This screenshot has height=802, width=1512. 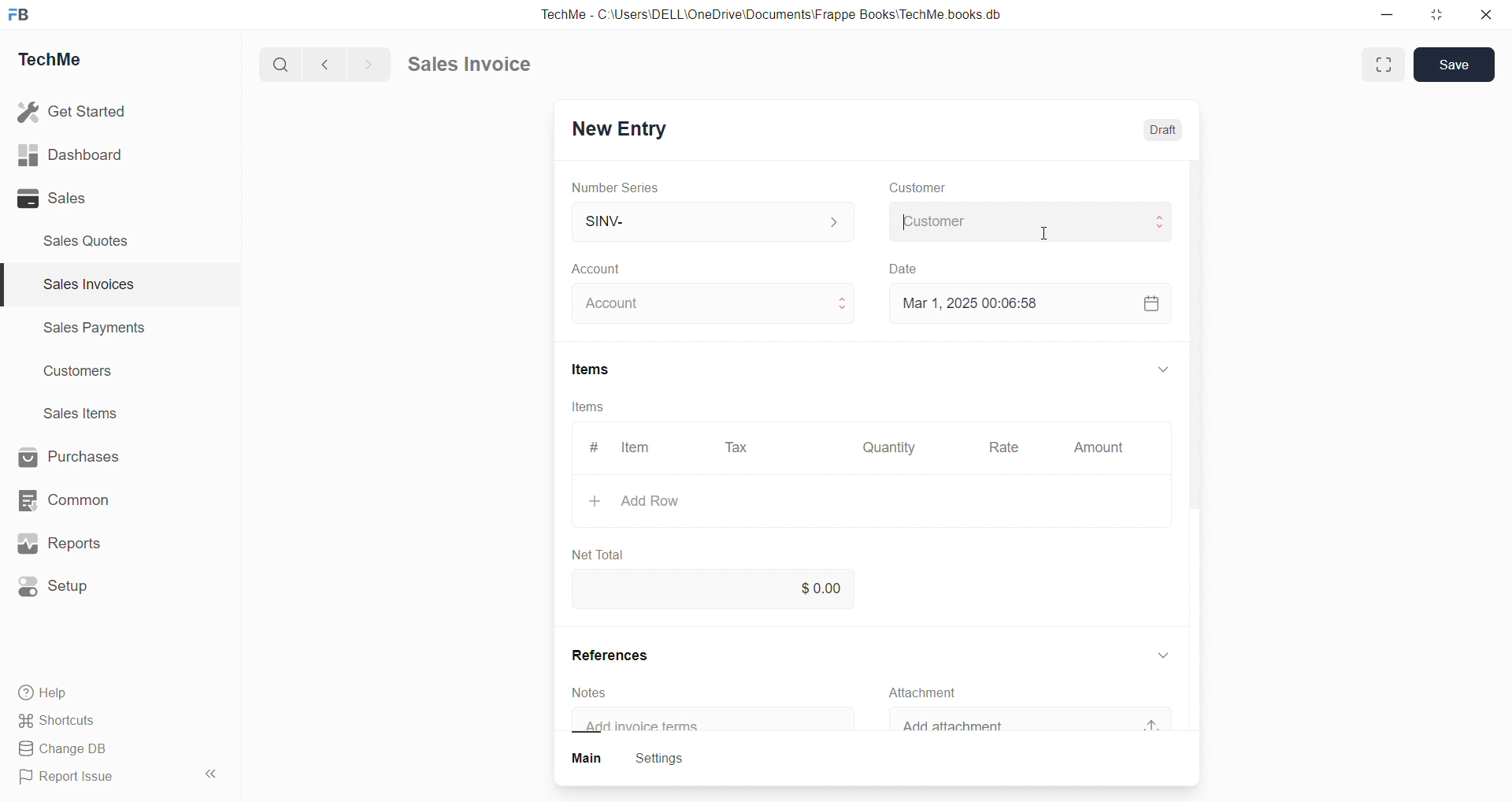 What do you see at coordinates (92, 240) in the screenshot?
I see `Sales Quotes` at bounding box center [92, 240].